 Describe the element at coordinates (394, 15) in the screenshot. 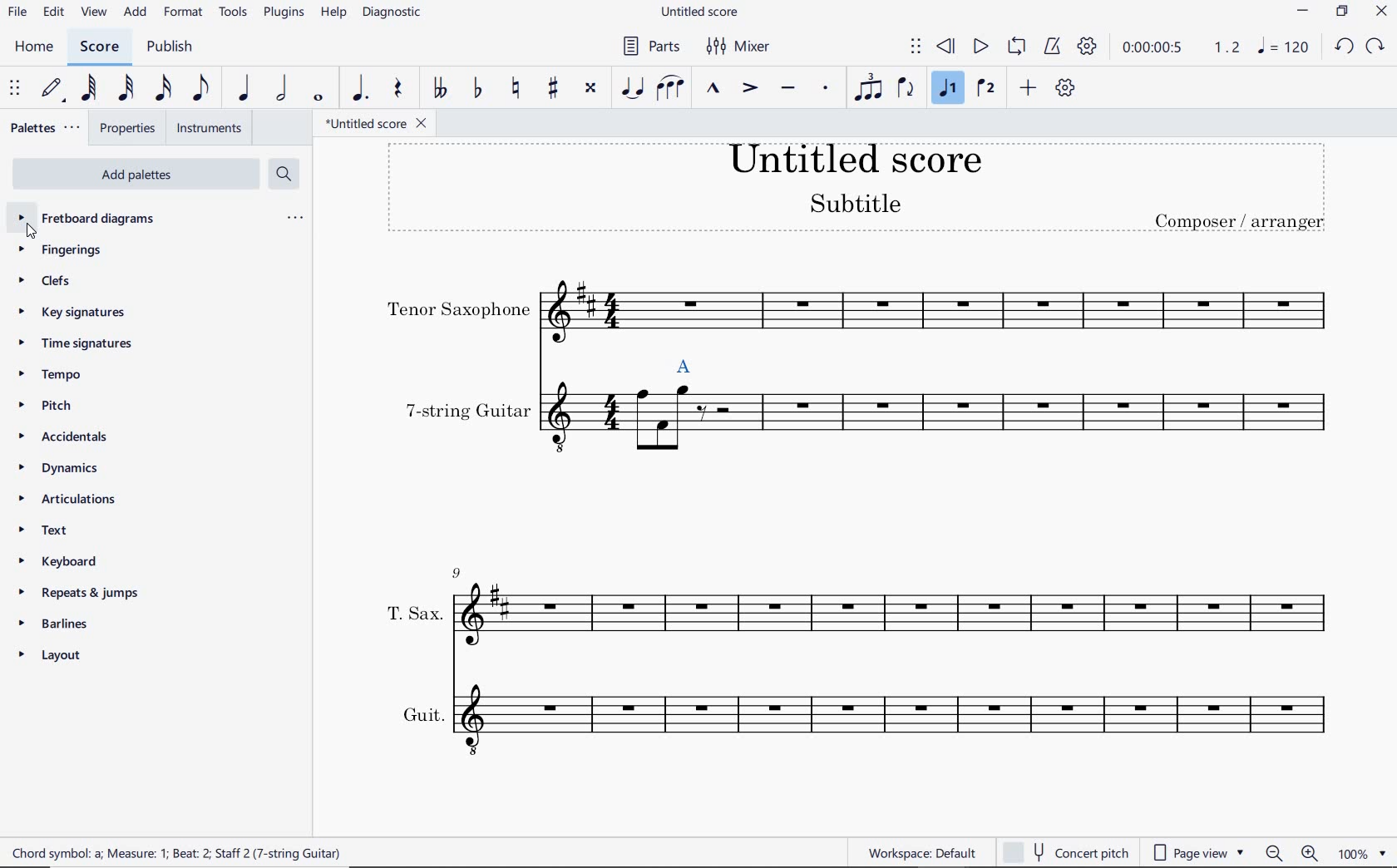

I see `DIAGNOSTIC` at that location.